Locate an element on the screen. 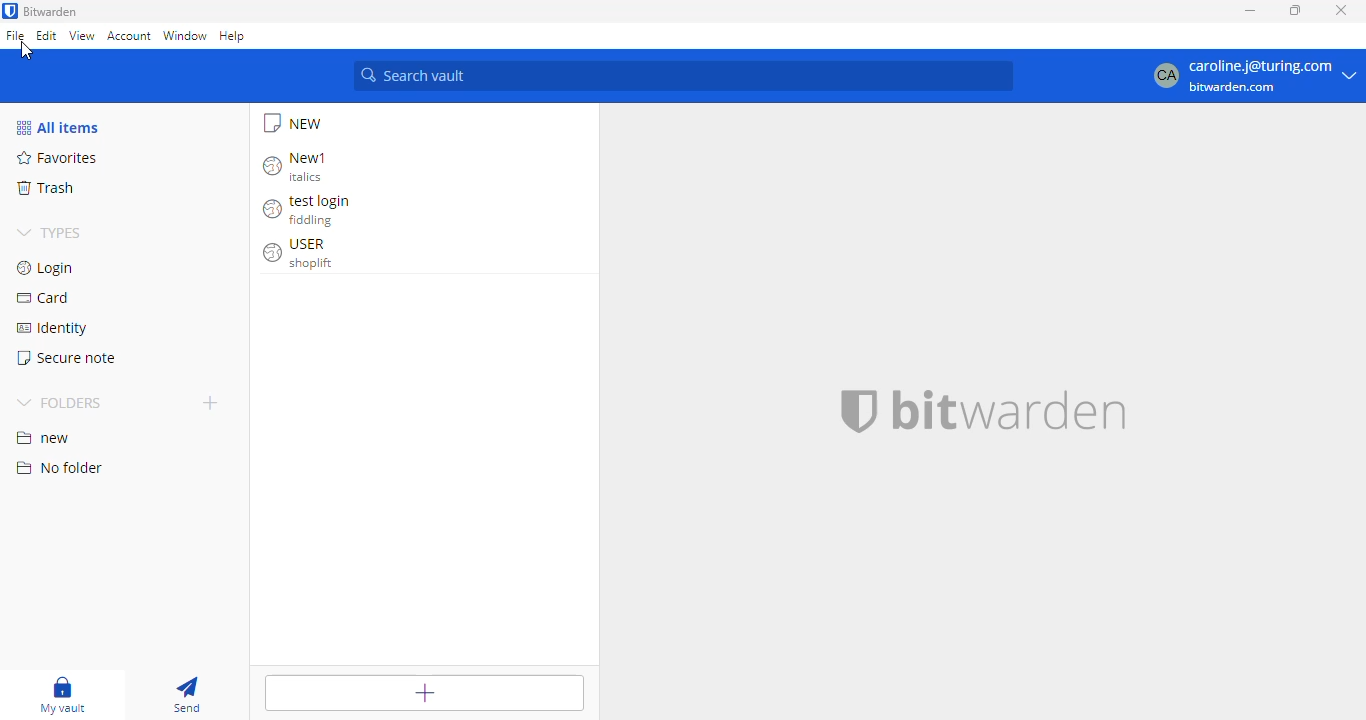 This screenshot has height=720, width=1366. secure note is located at coordinates (66, 358).